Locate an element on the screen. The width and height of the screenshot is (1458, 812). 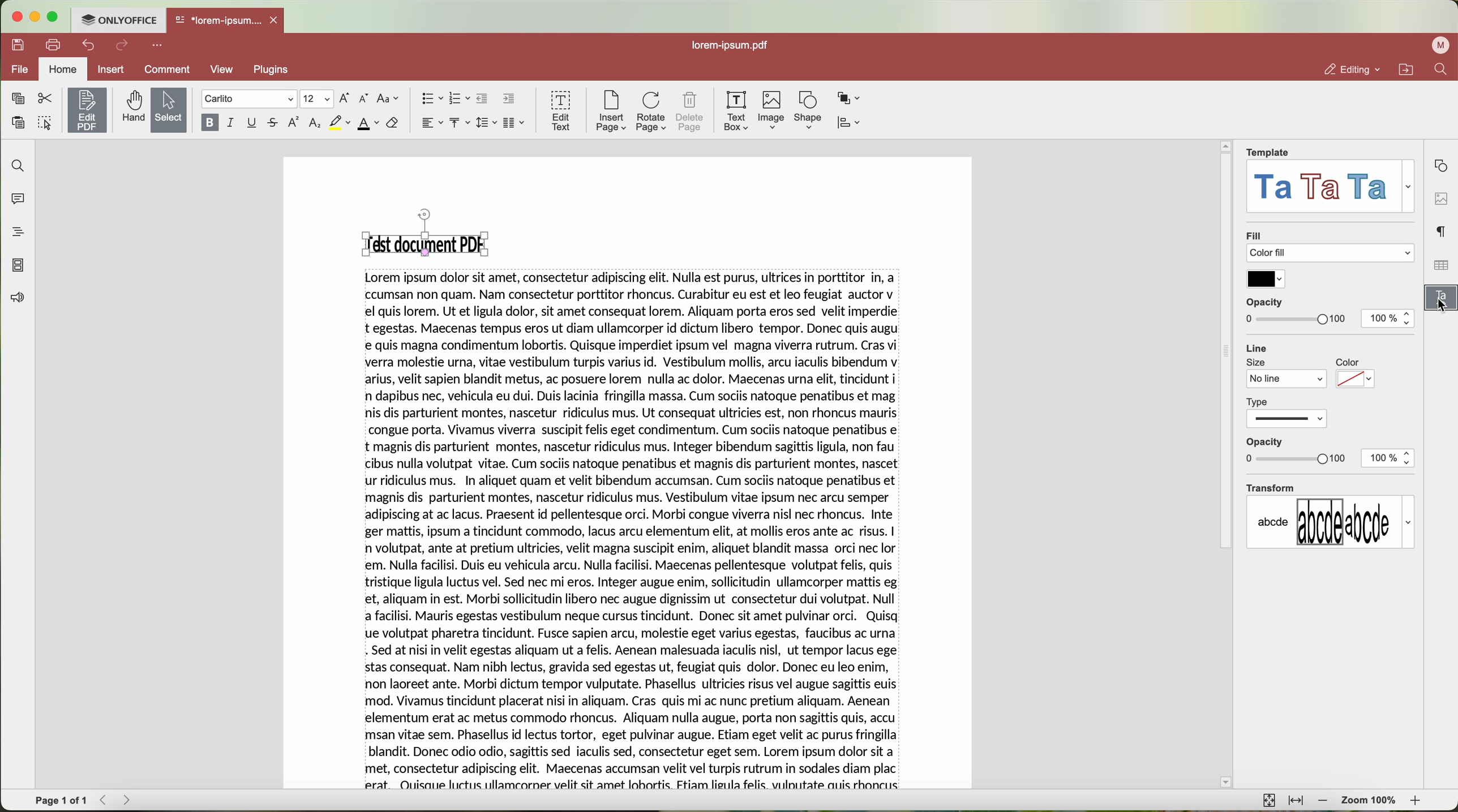
fit to page is located at coordinates (1270, 801).